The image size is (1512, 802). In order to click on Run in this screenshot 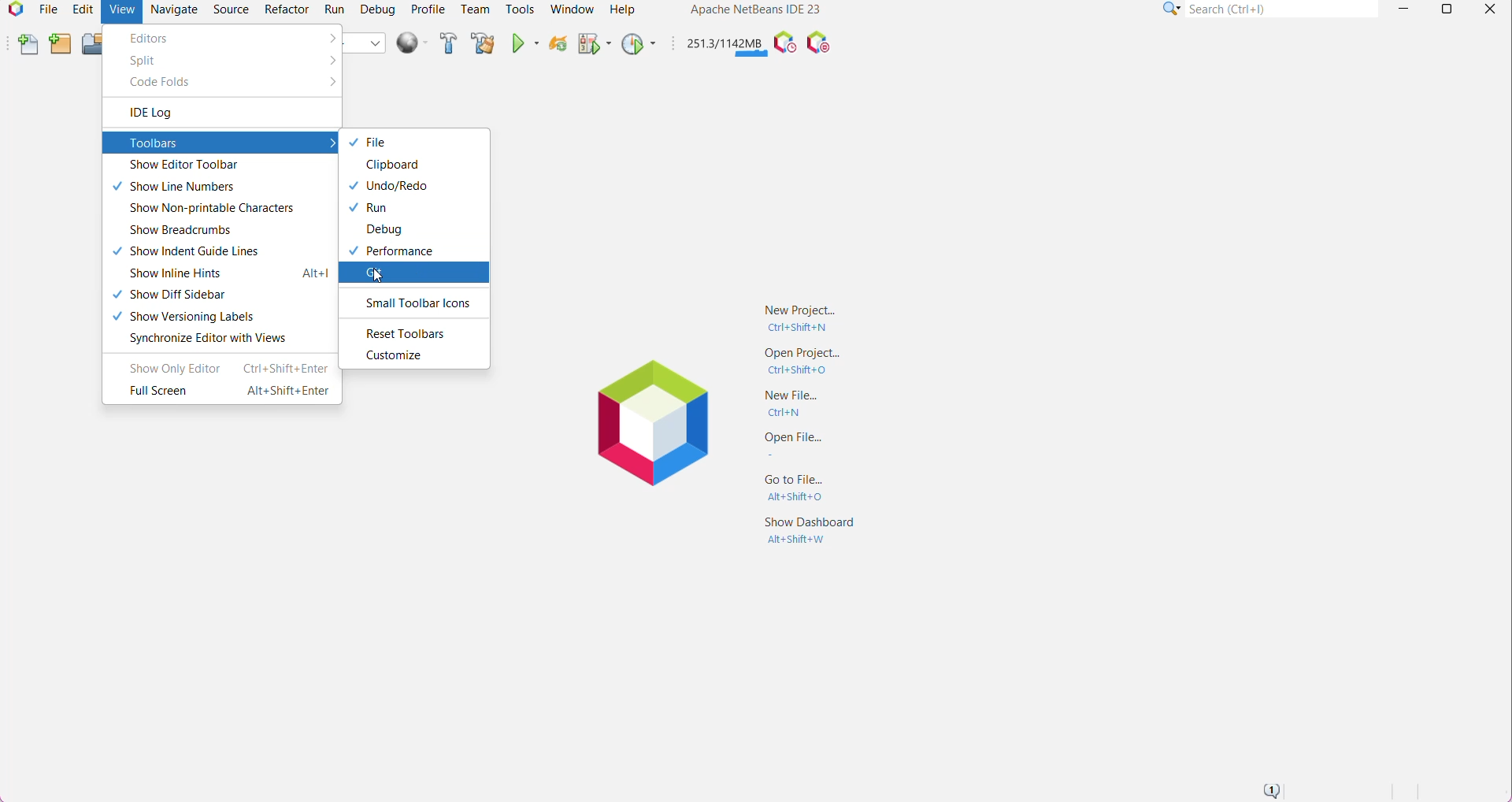, I will do `click(335, 9)`.